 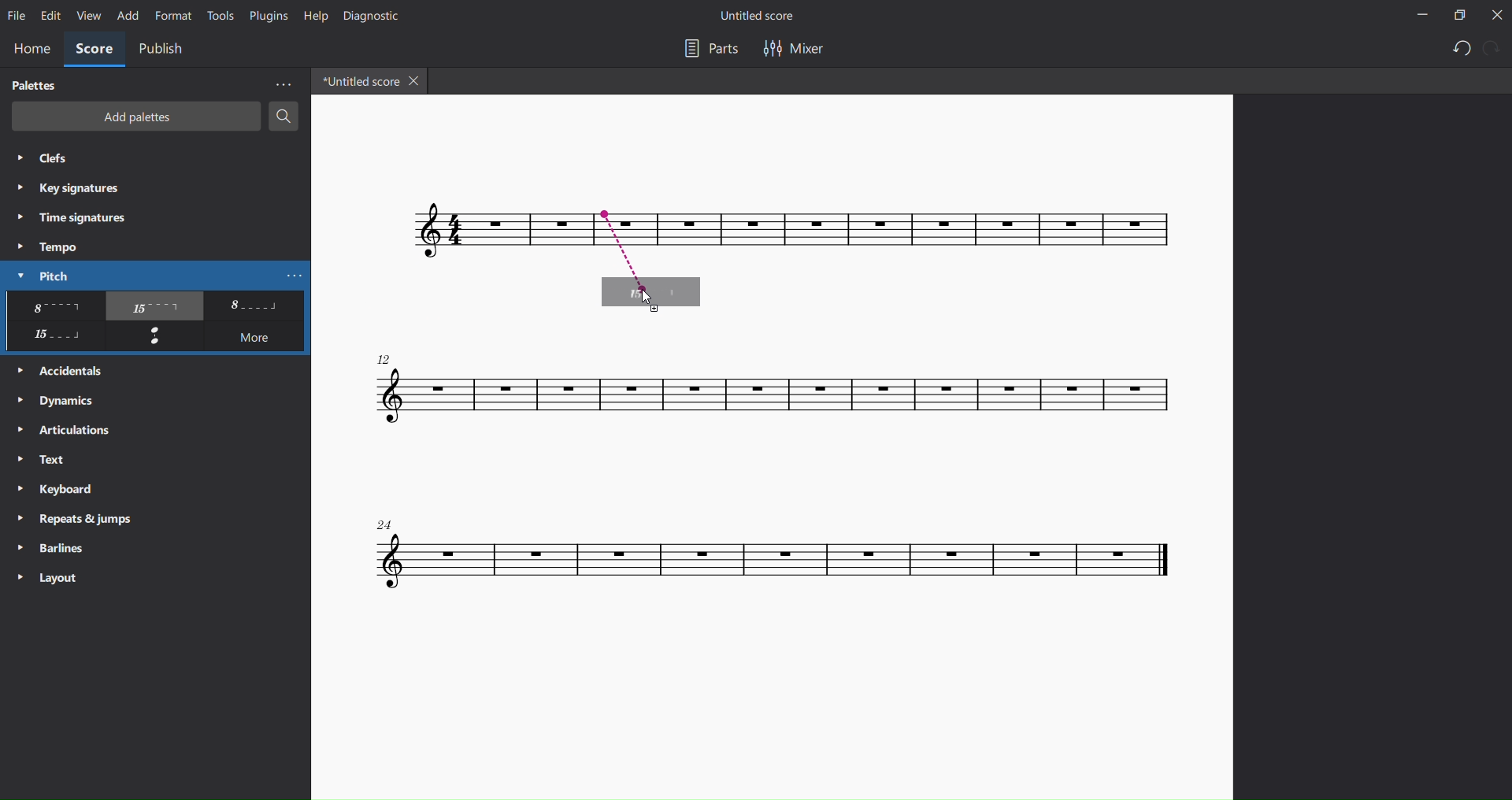 What do you see at coordinates (358, 80) in the screenshot?
I see `title` at bounding box center [358, 80].